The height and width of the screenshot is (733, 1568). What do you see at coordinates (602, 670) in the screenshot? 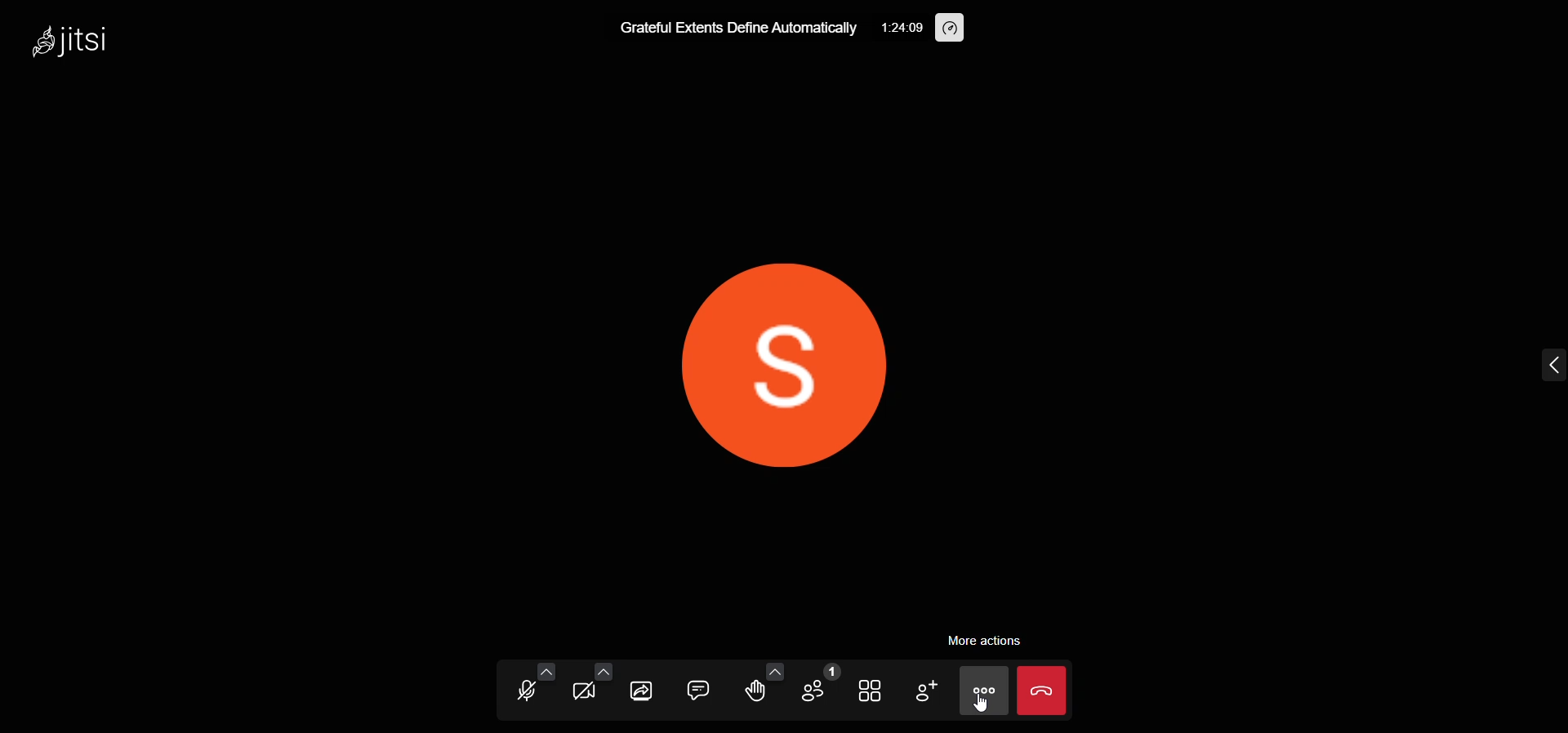
I see `video setting` at bounding box center [602, 670].